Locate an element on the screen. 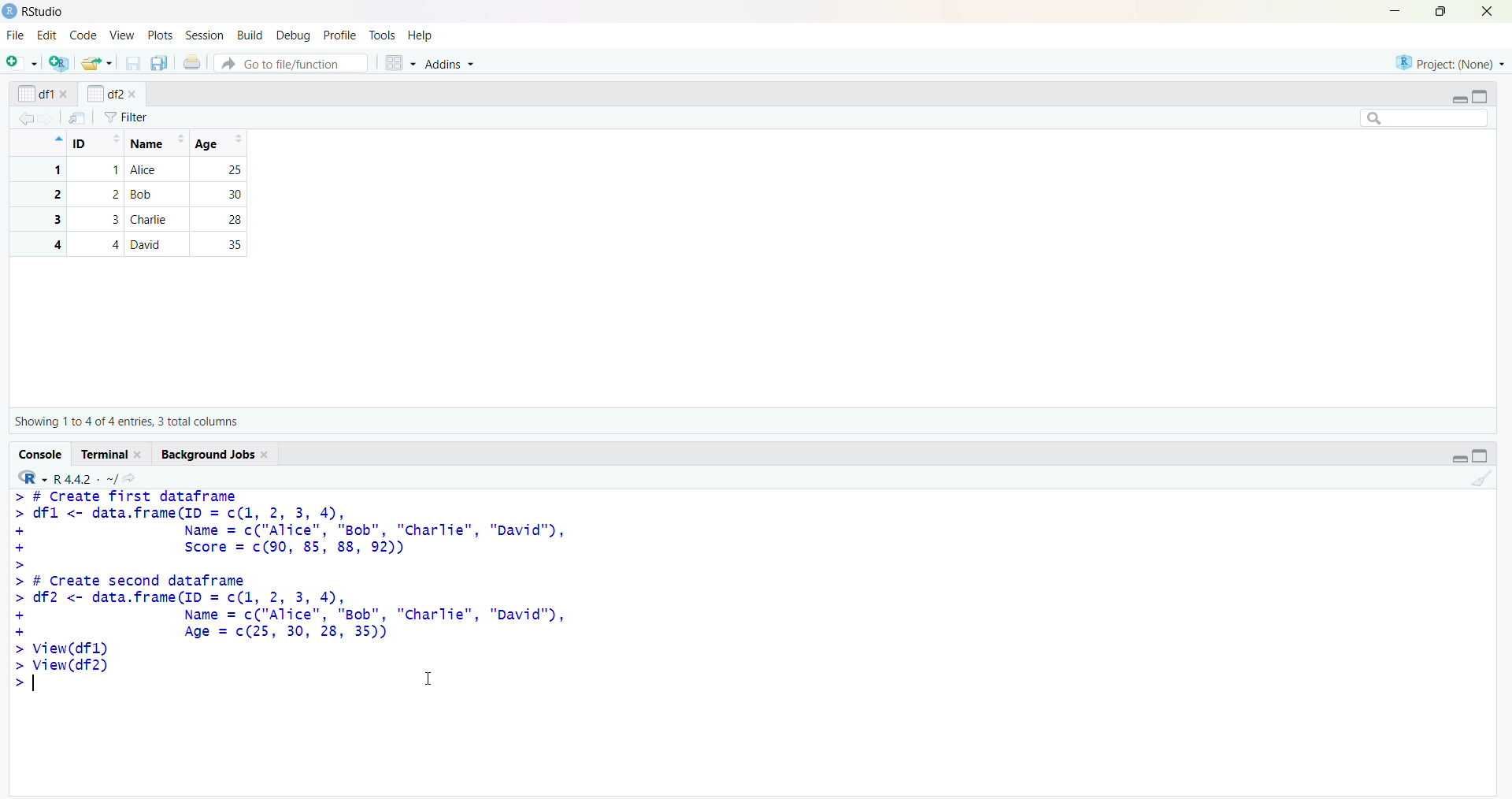  icon is located at coordinates (57, 139).